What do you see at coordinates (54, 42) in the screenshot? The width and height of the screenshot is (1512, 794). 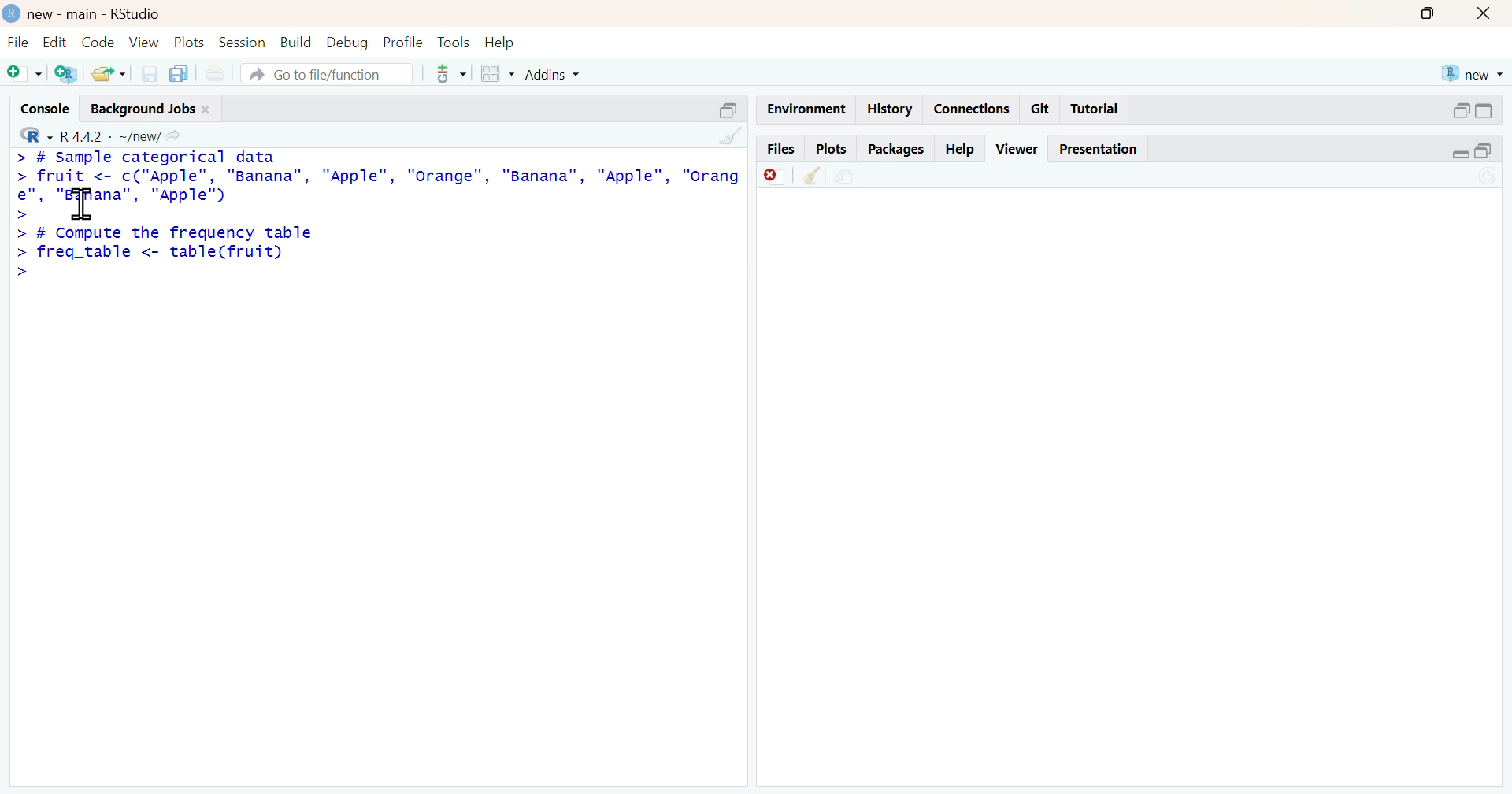 I see `edit` at bounding box center [54, 42].